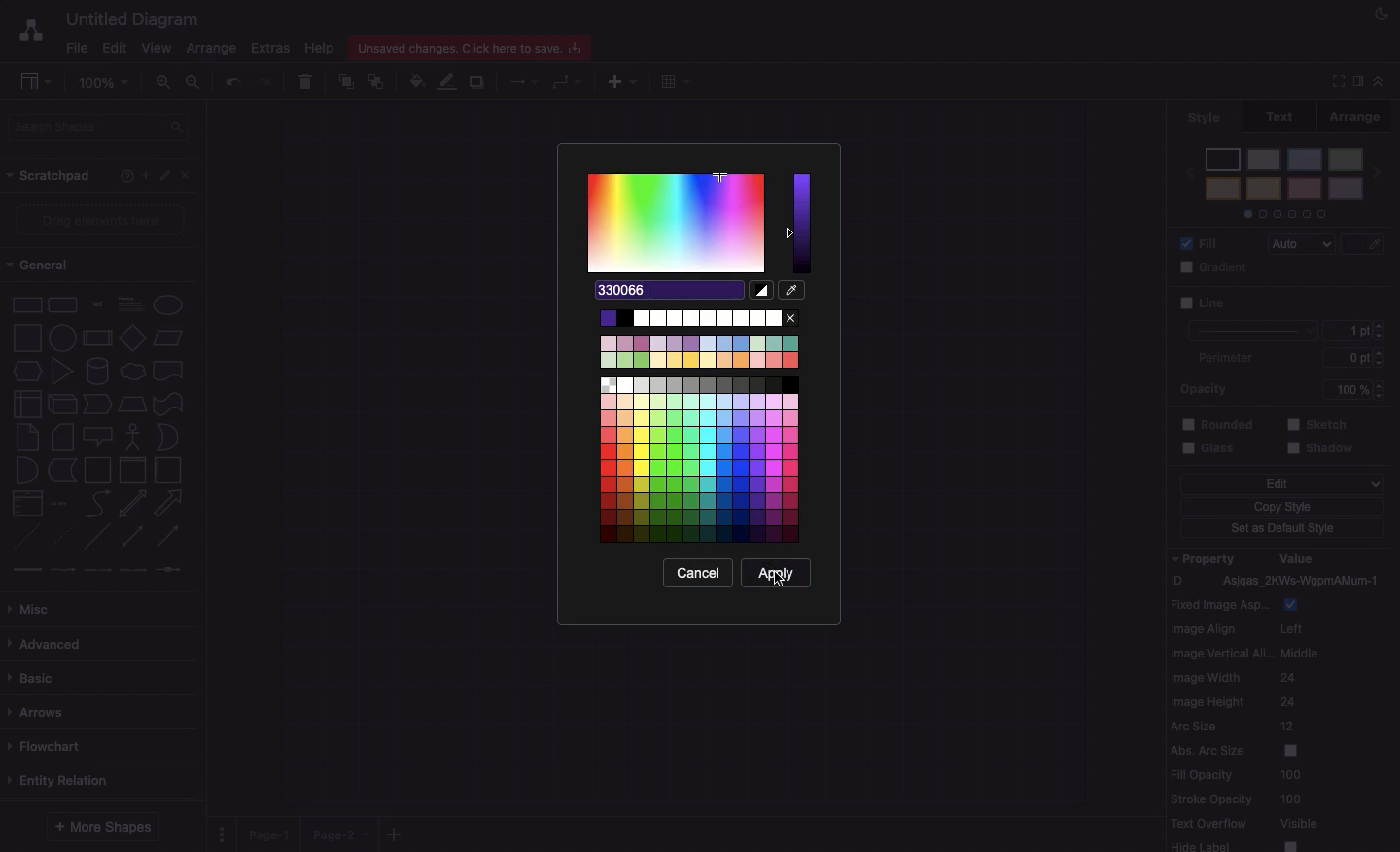 The image size is (1400, 852). What do you see at coordinates (166, 471) in the screenshot?
I see `horizontal container` at bounding box center [166, 471].